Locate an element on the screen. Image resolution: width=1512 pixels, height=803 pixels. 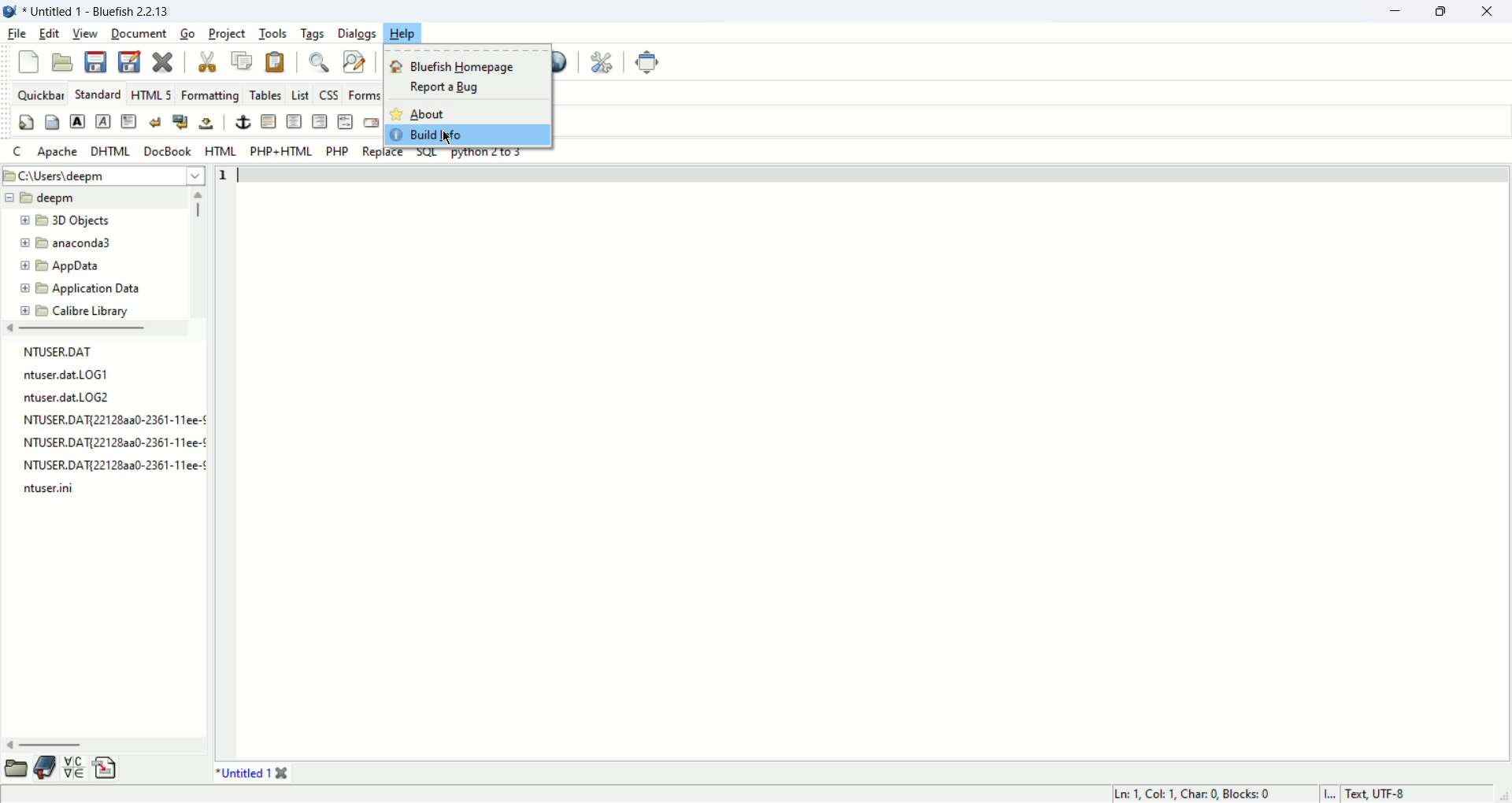
horizontal rule is located at coordinates (269, 121).